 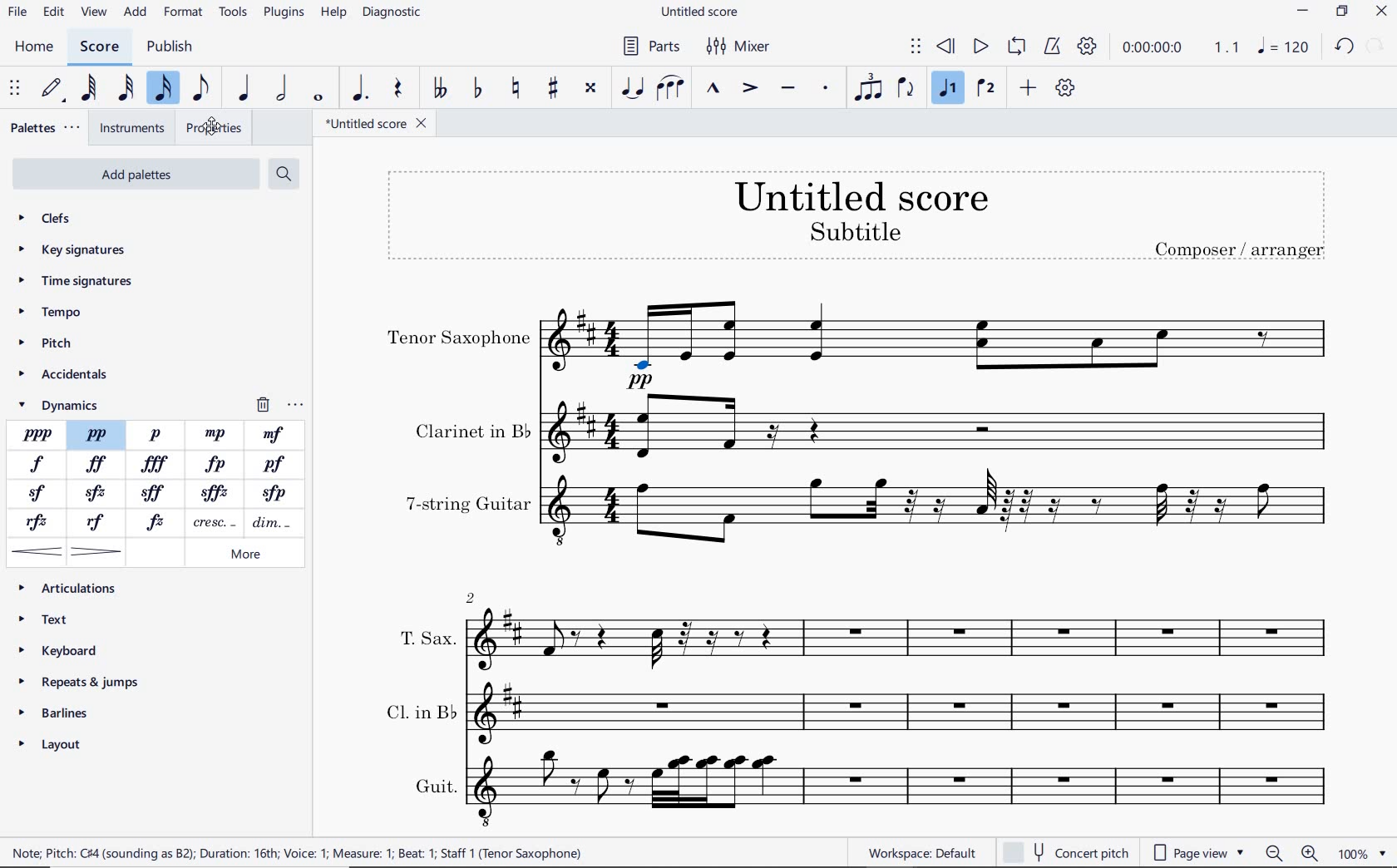 I want to click on 32ND NOTE, so click(x=125, y=89).